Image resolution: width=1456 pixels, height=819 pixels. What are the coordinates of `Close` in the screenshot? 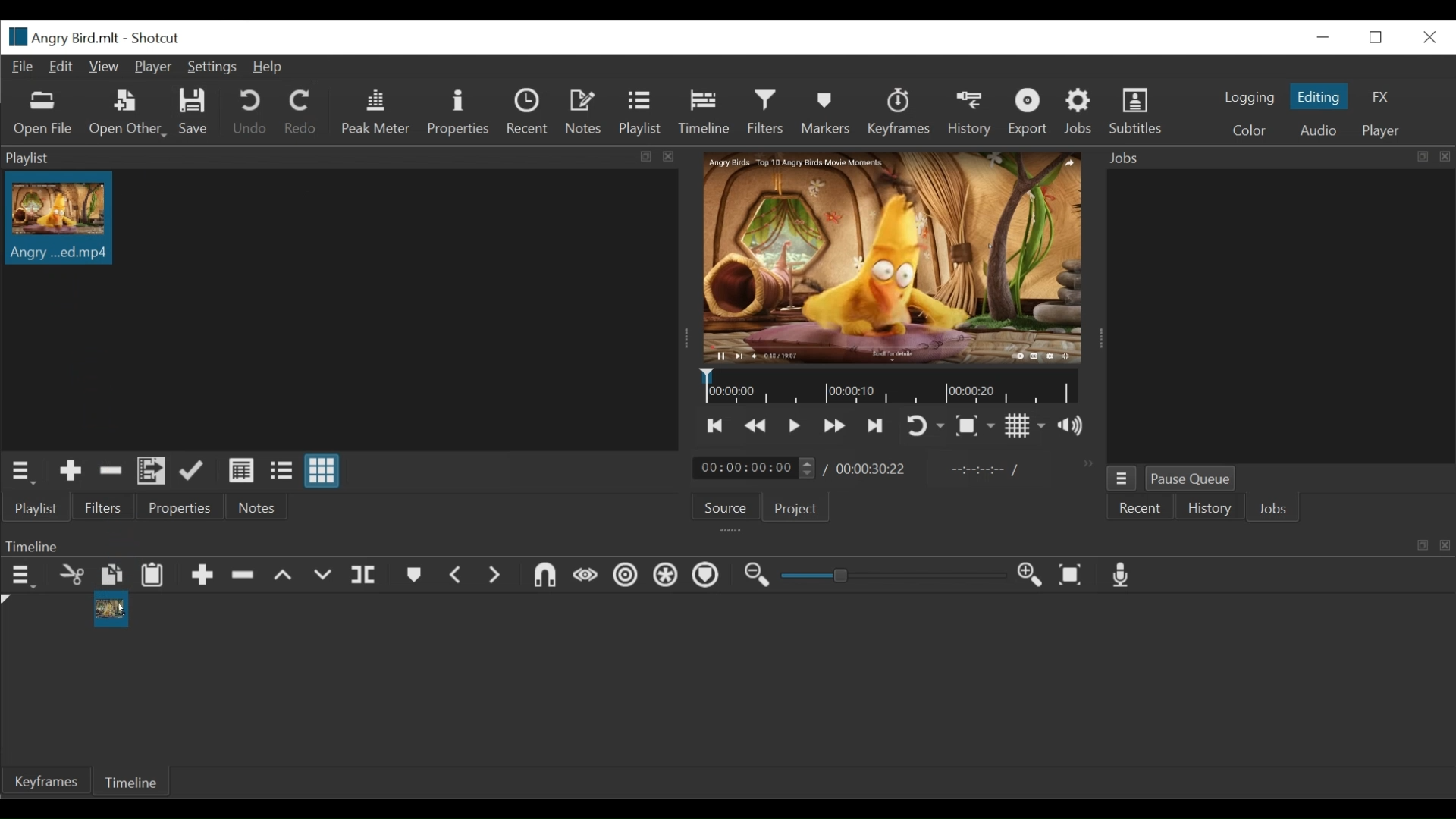 It's located at (1428, 38).